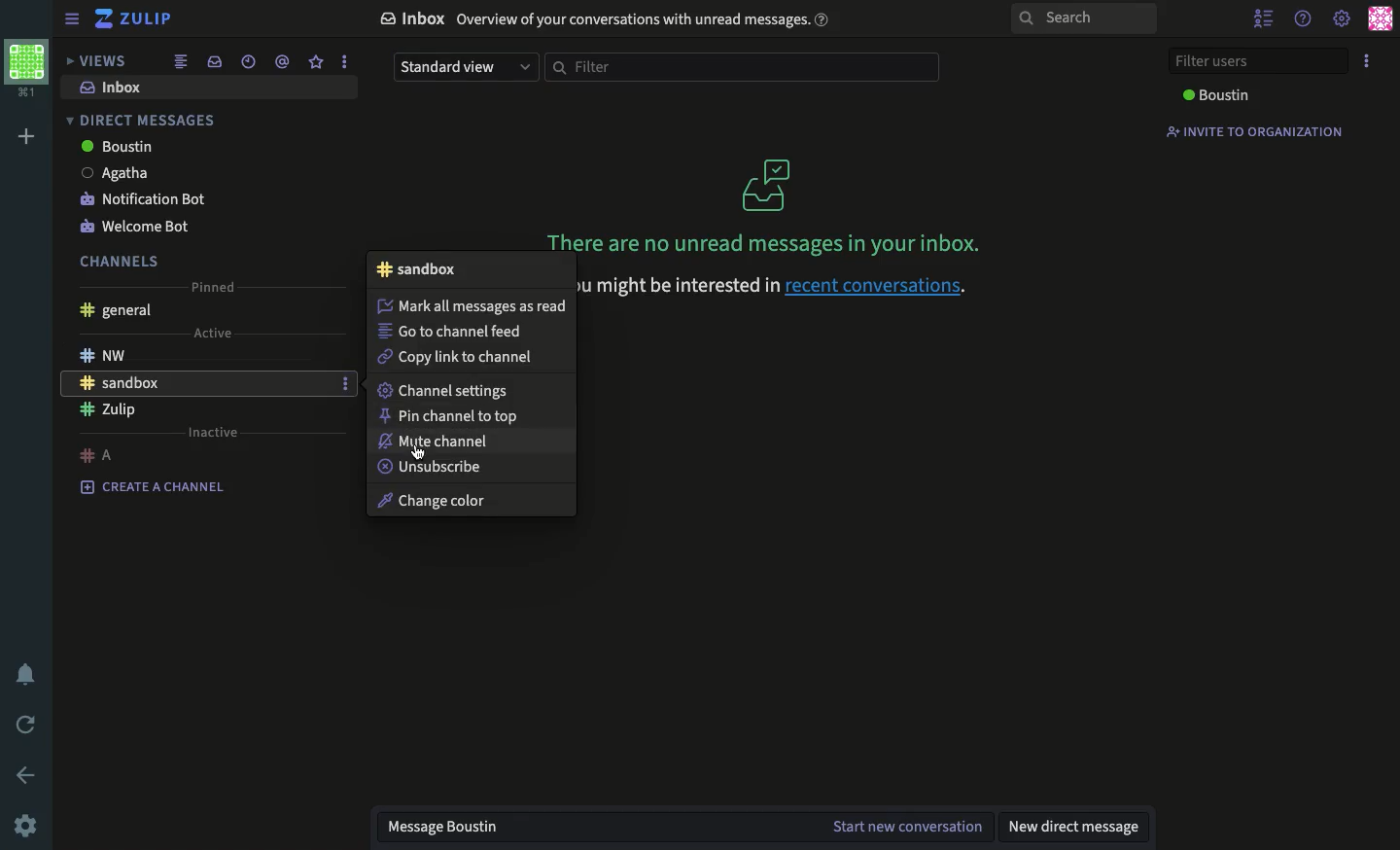  What do you see at coordinates (217, 60) in the screenshot?
I see `inbox` at bounding box center [217, 60].